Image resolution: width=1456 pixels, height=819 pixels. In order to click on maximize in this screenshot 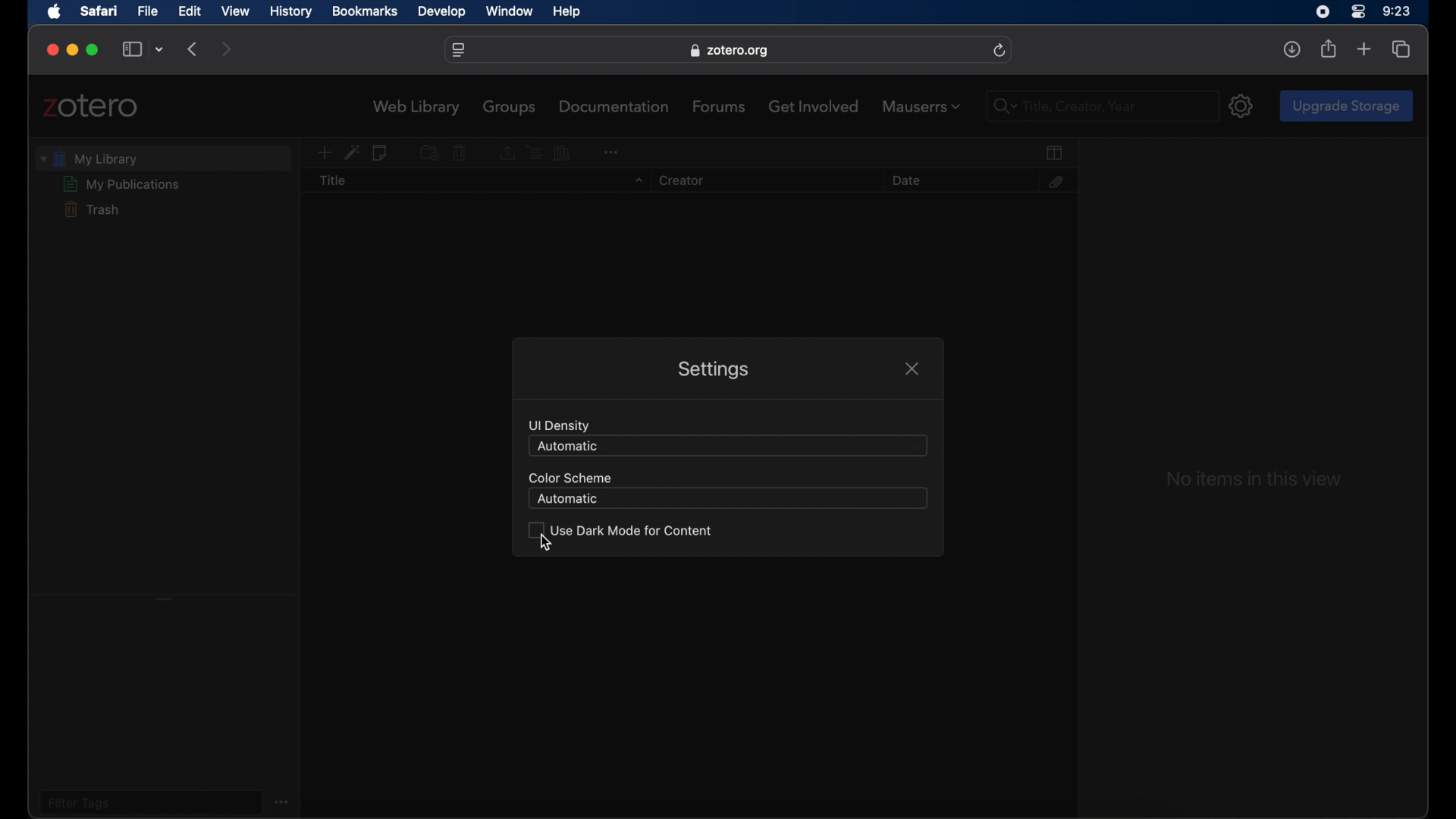, I will do `click(94, 50)`.